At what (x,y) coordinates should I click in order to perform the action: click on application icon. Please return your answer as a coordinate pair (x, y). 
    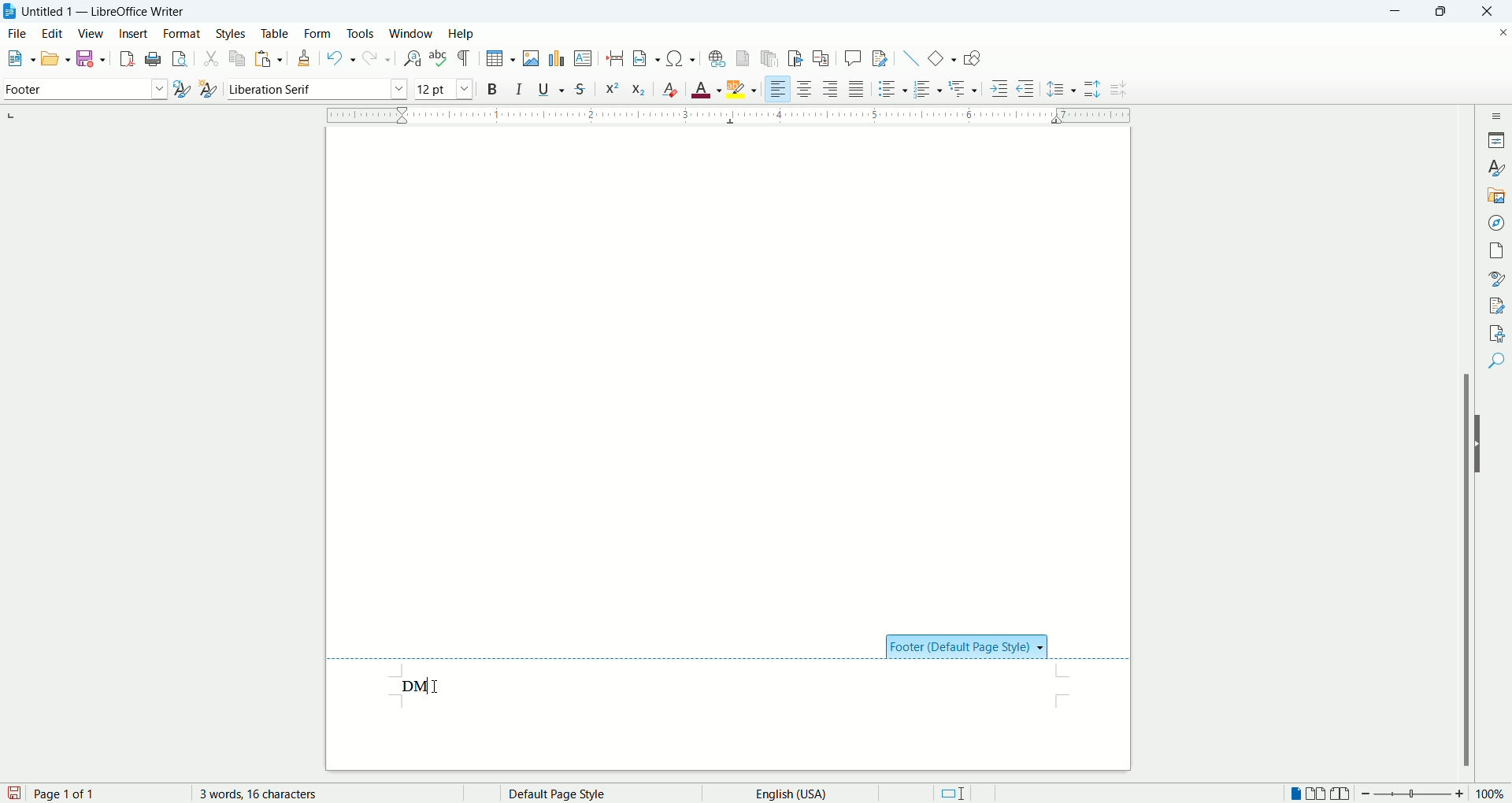
    Looking at the image, I should click on (10, 12).